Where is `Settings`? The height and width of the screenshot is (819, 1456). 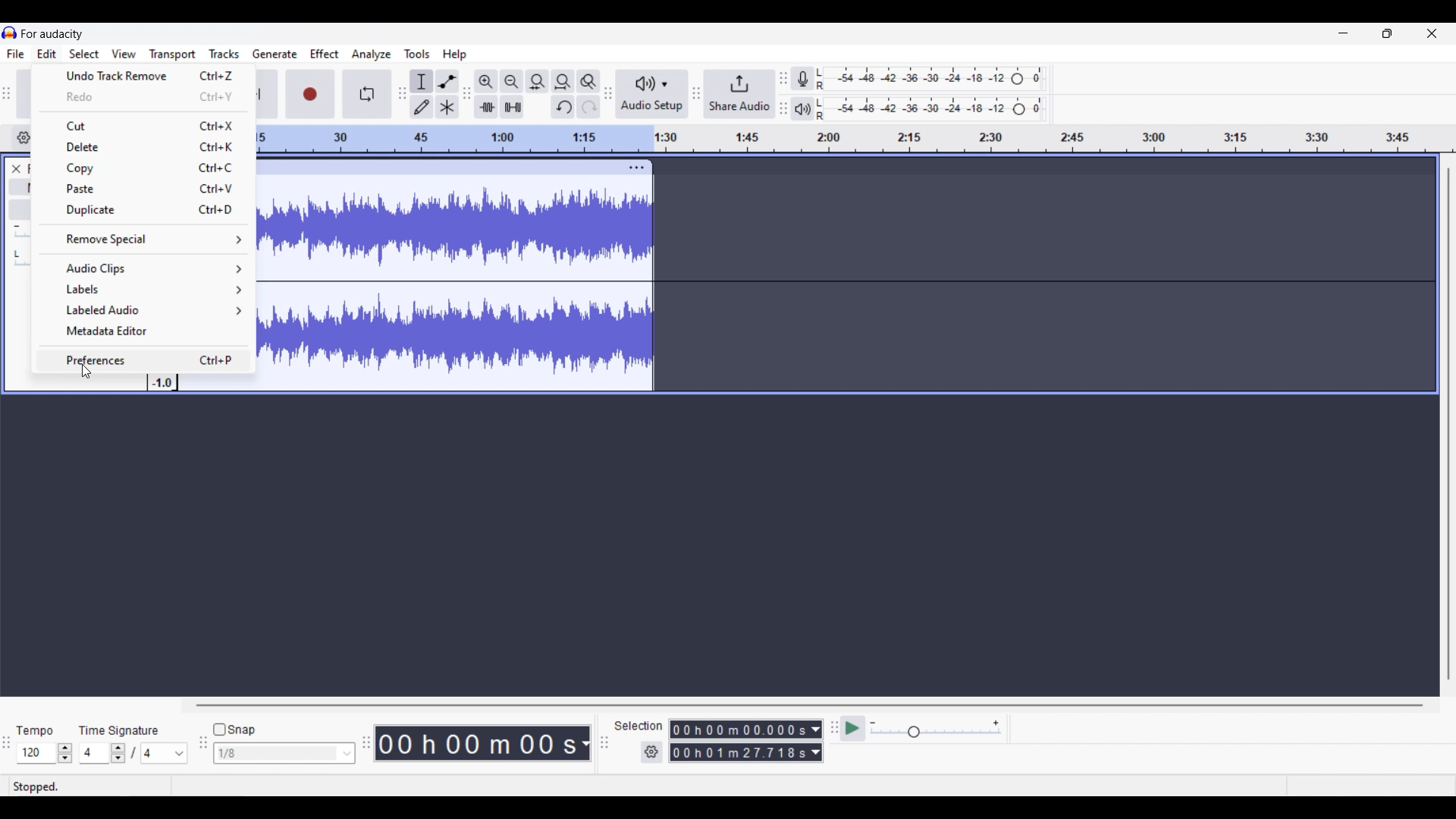
Settings is located at coordinates (651, 752).